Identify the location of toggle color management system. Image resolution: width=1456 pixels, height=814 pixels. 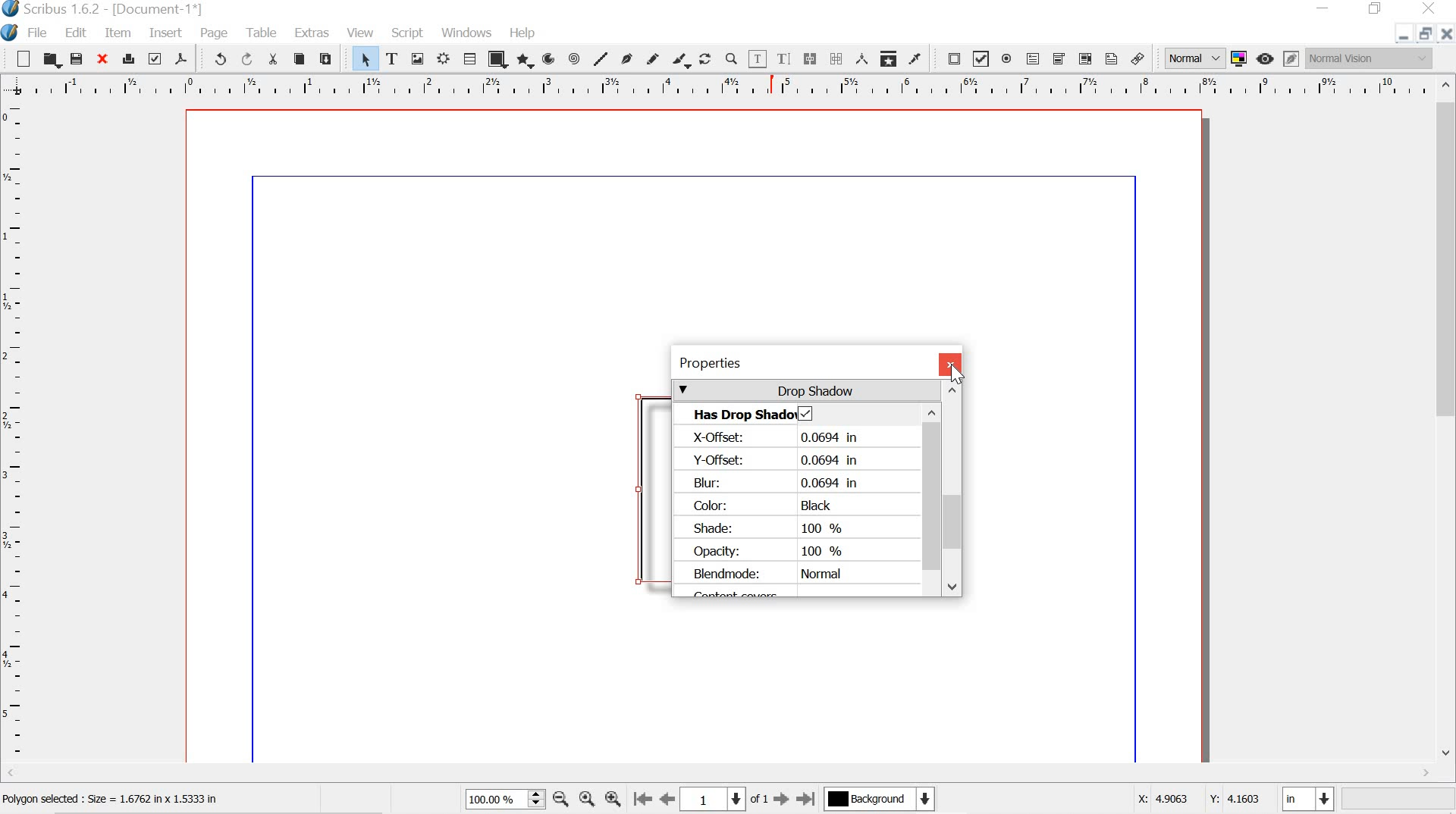
(1238, 58).